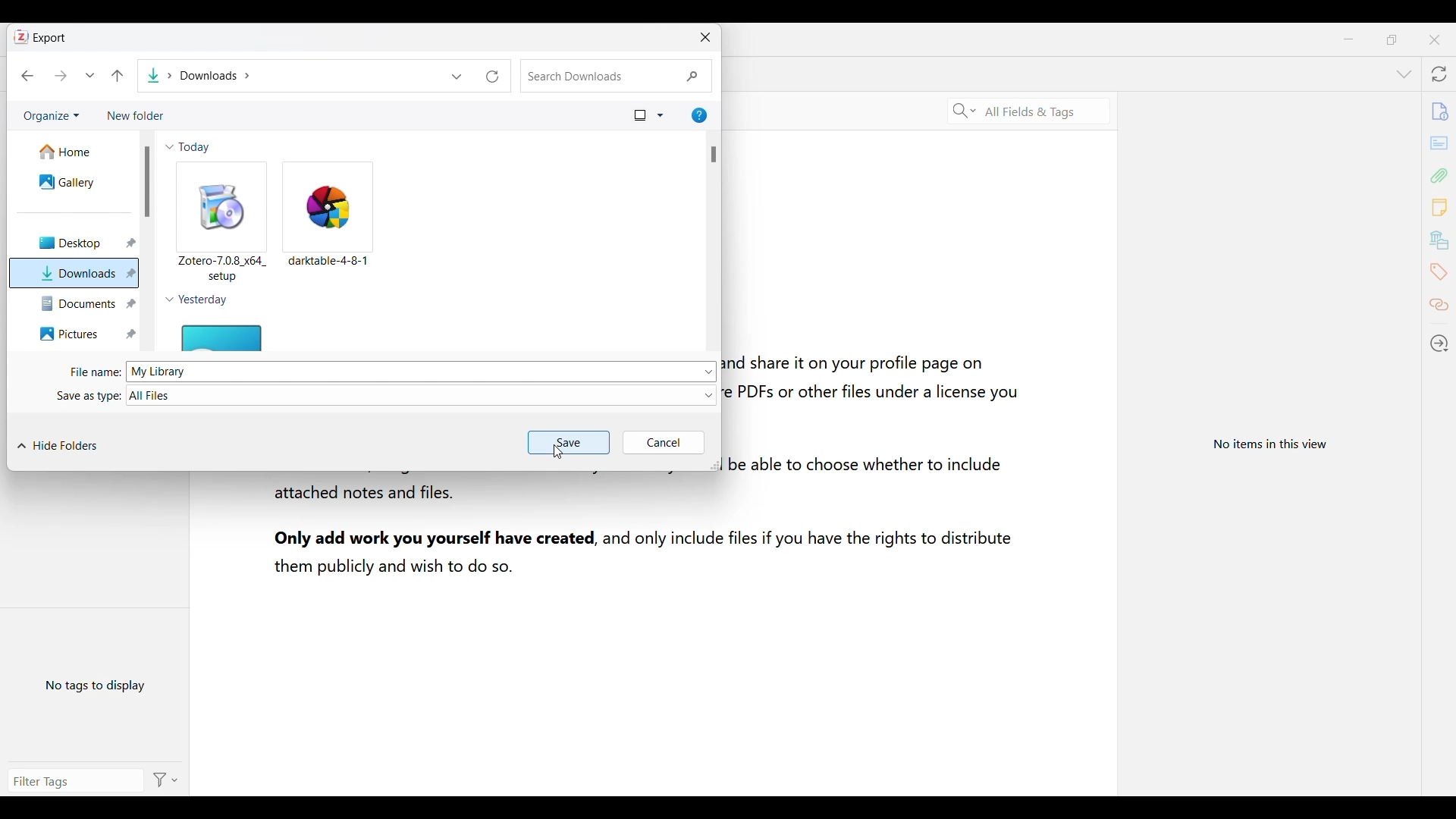 The height and width of the screenshot is (819, 1456). Describe the element at coordinates (1403, 74) in the screenshot. I see `List all tabs` at that location.